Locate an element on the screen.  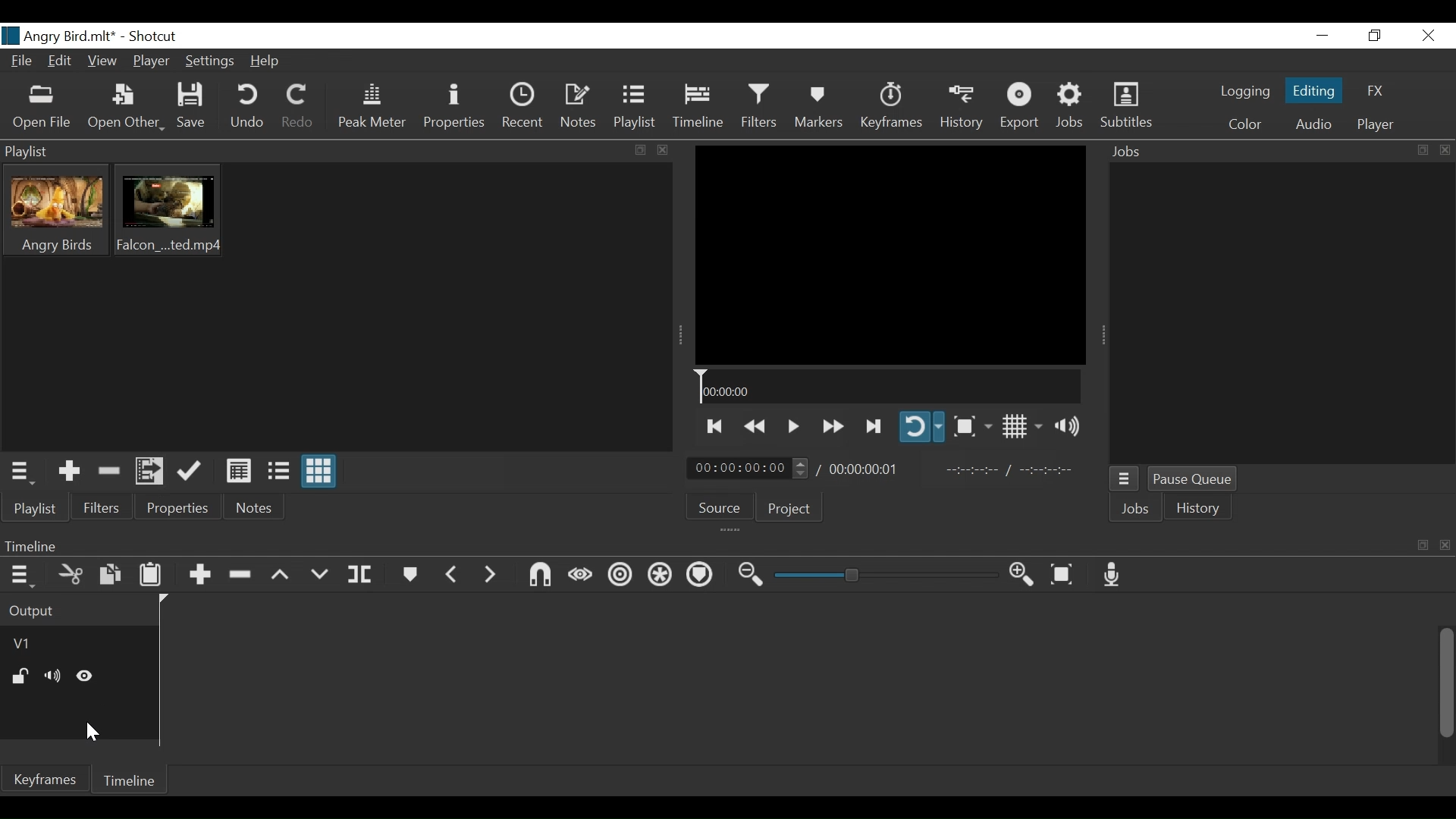
 is located at coordinates (699, 107).